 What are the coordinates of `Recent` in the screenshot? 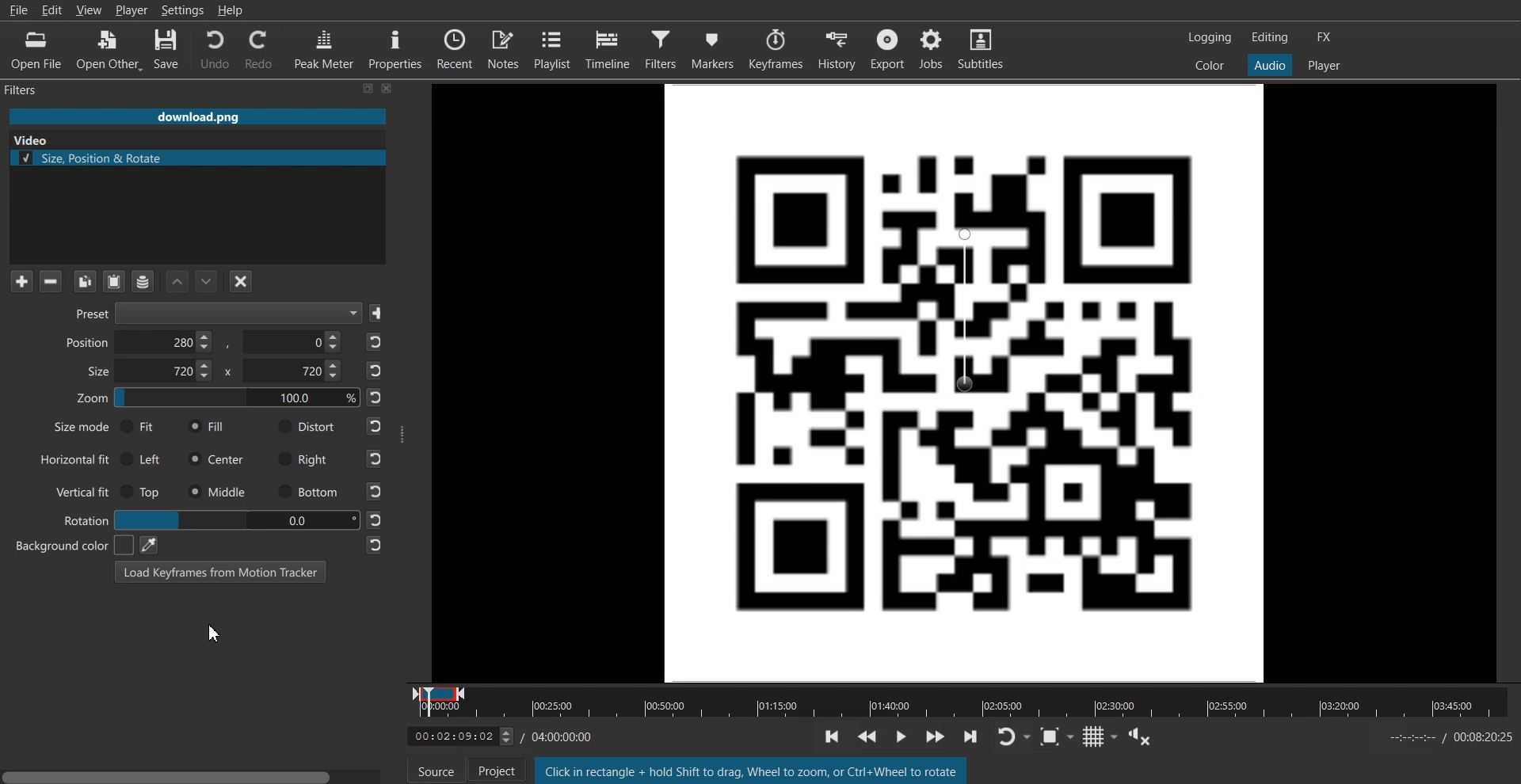 It's located at (456, 48).